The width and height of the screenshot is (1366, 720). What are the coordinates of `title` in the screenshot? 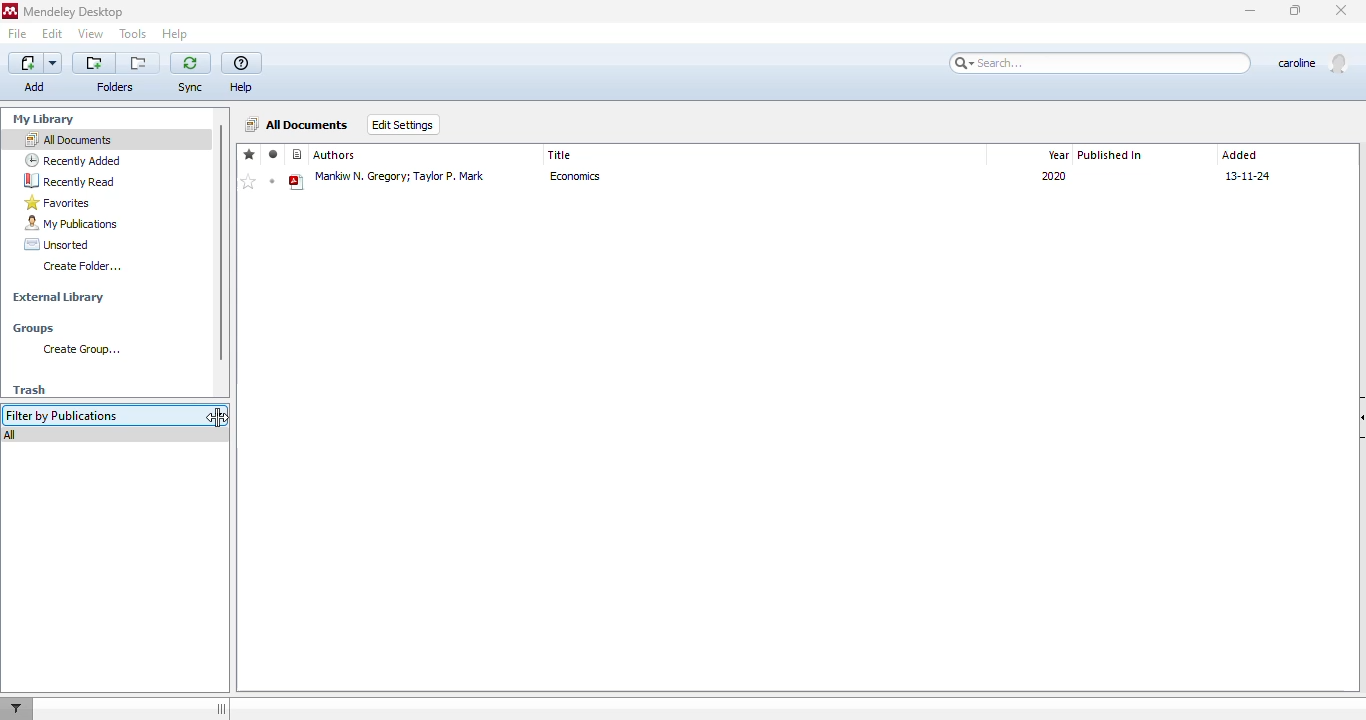 It's located at (560, 155).